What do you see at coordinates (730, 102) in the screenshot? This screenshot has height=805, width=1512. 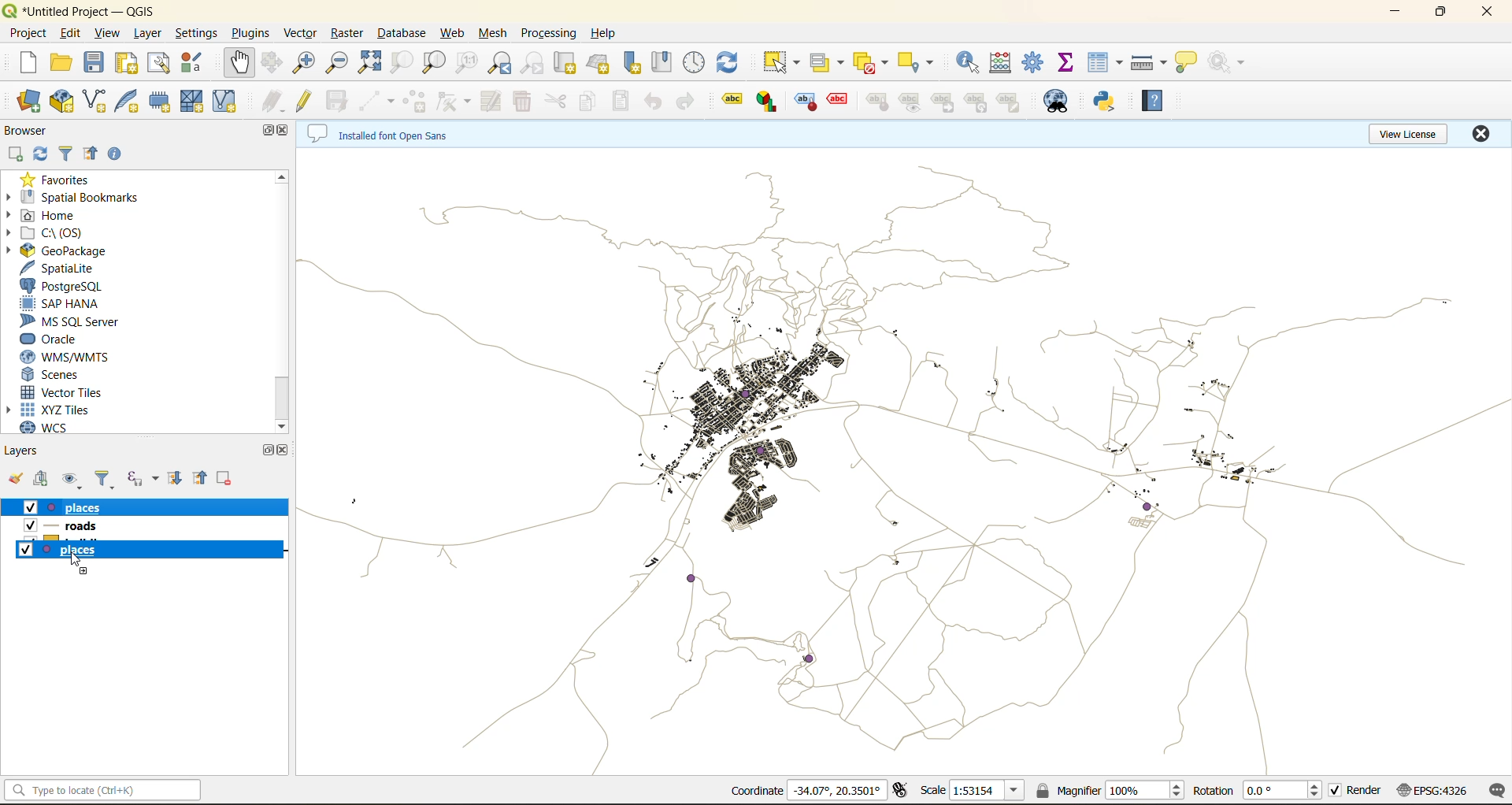 I see `layer labeling` at bounding box center [730, 102].